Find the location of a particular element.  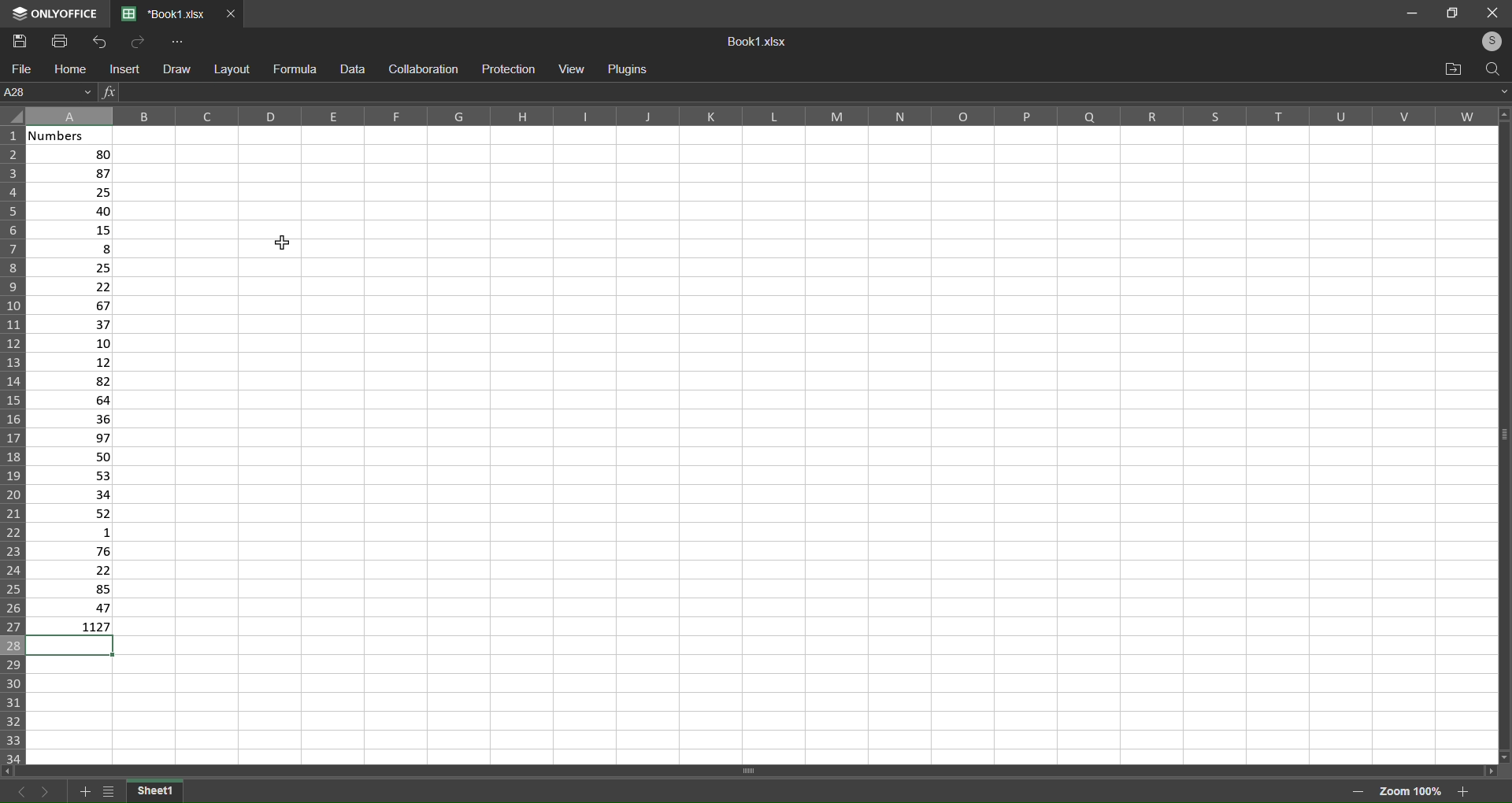

collaboration is located at coordinates (425, 69).